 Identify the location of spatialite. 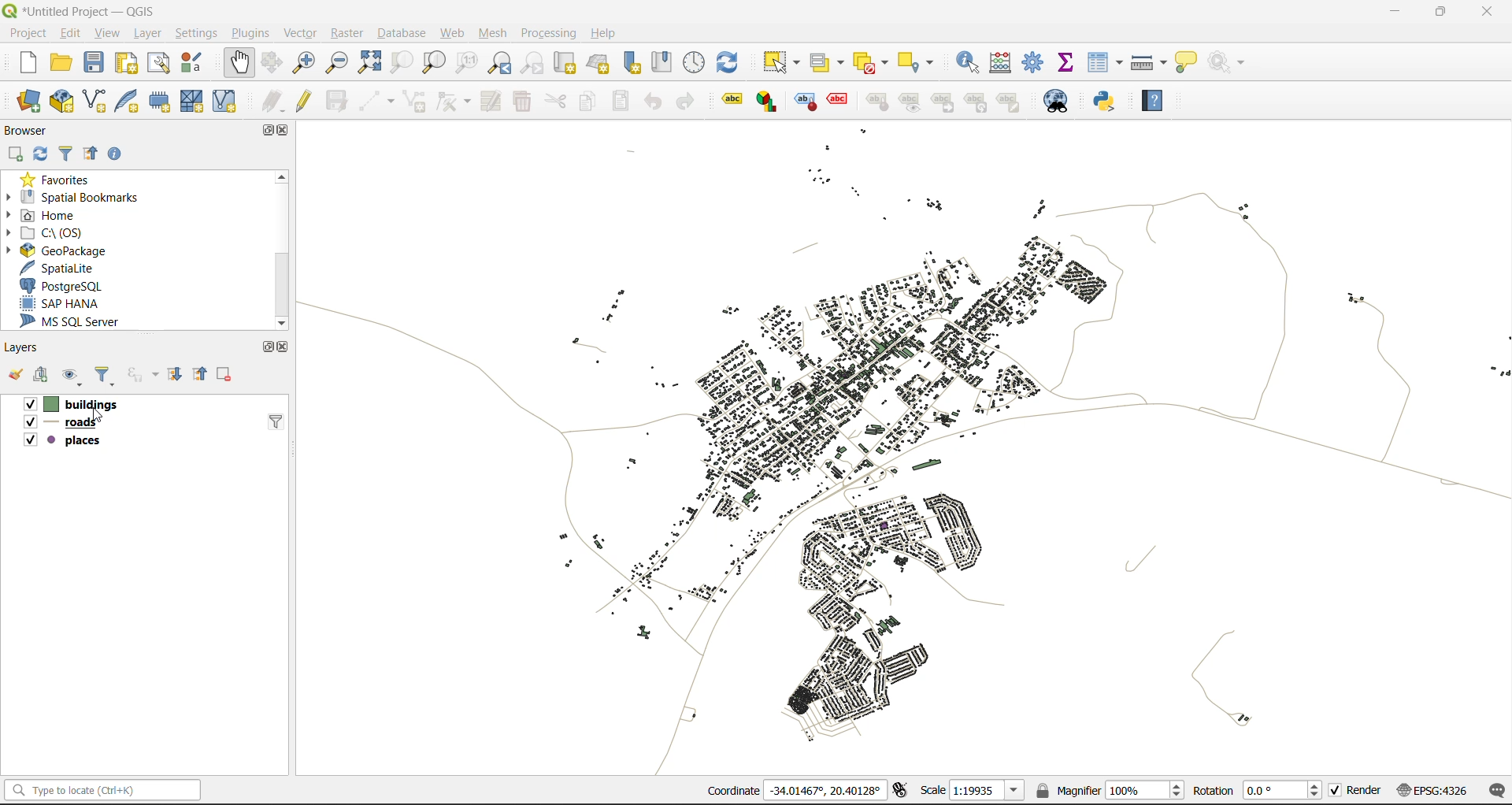
(65, 267).